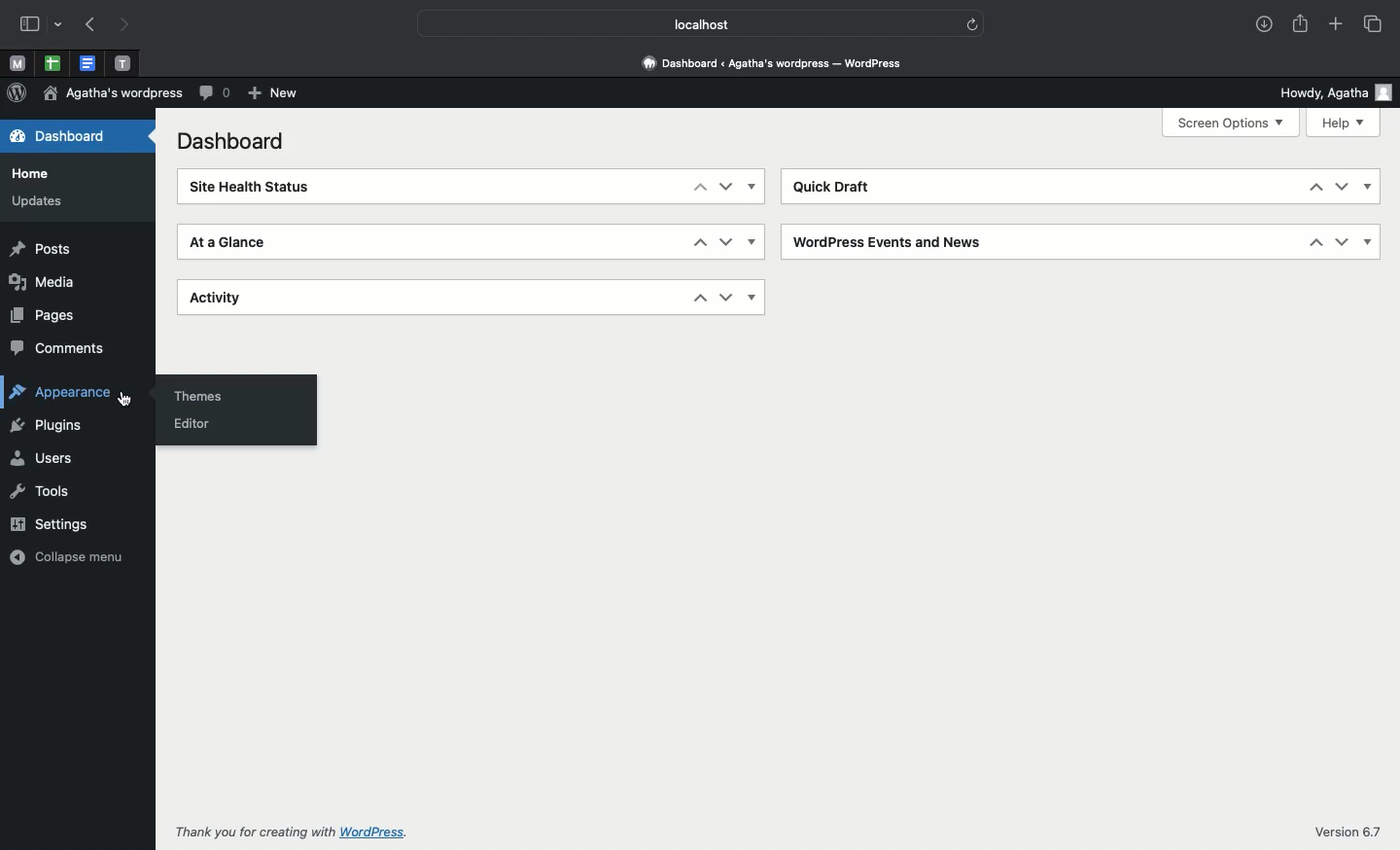 The width and height of the screenshot is (1400, 850). Describe the element at coordinates (1344, 241) in the screenshot. I see `Down` at that location.